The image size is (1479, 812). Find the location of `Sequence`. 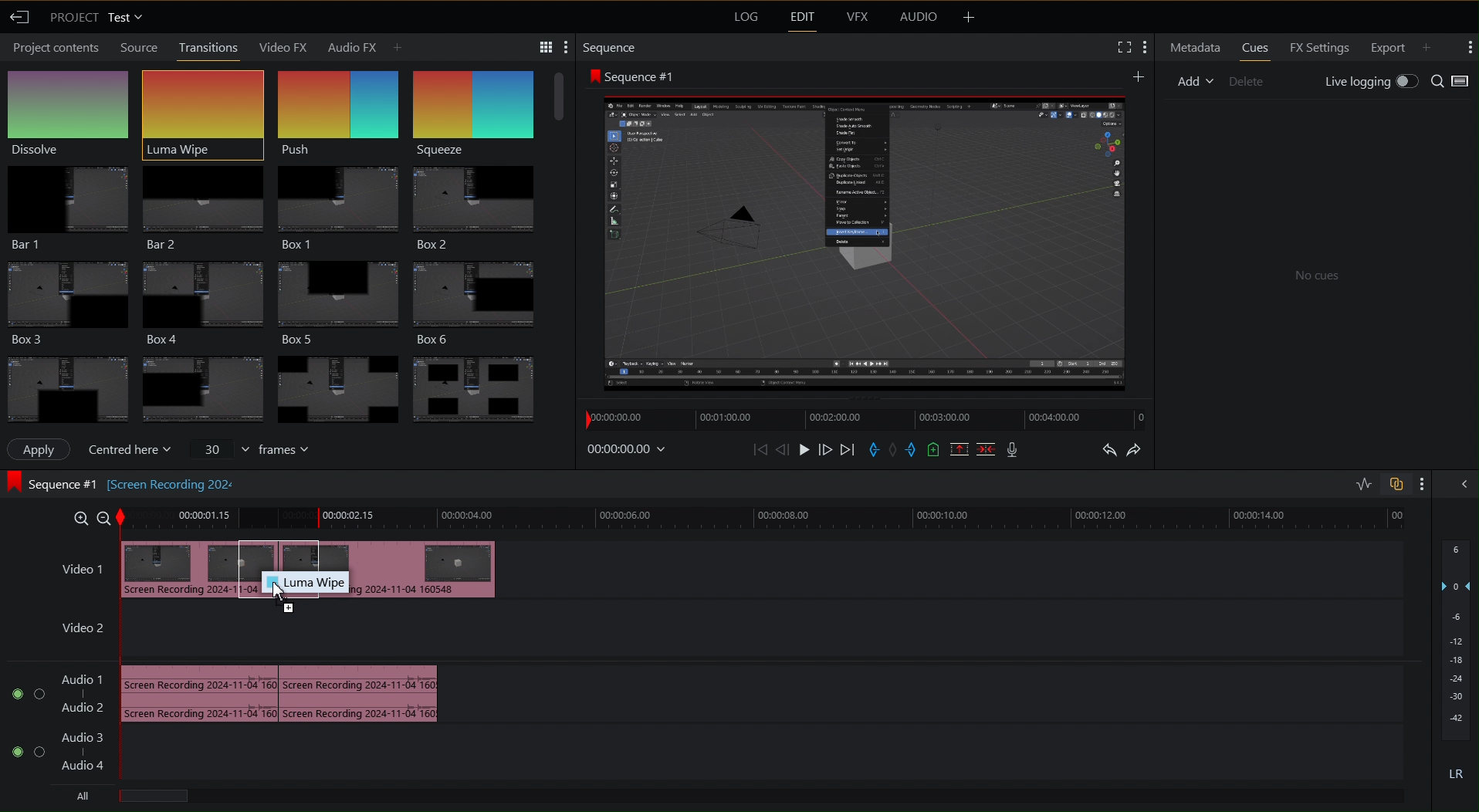

Sequence is located at coordinates (483, 104).